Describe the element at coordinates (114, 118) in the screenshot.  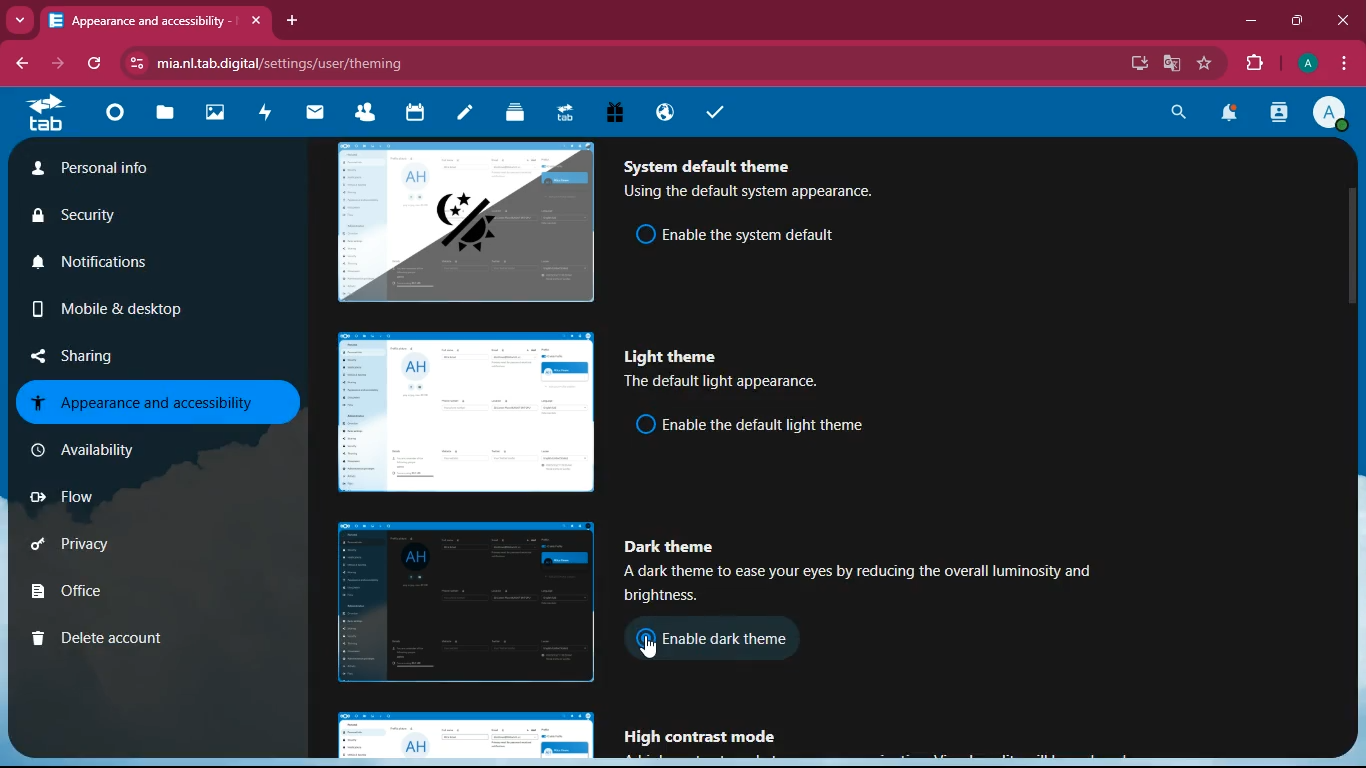
I see `home` at that location.